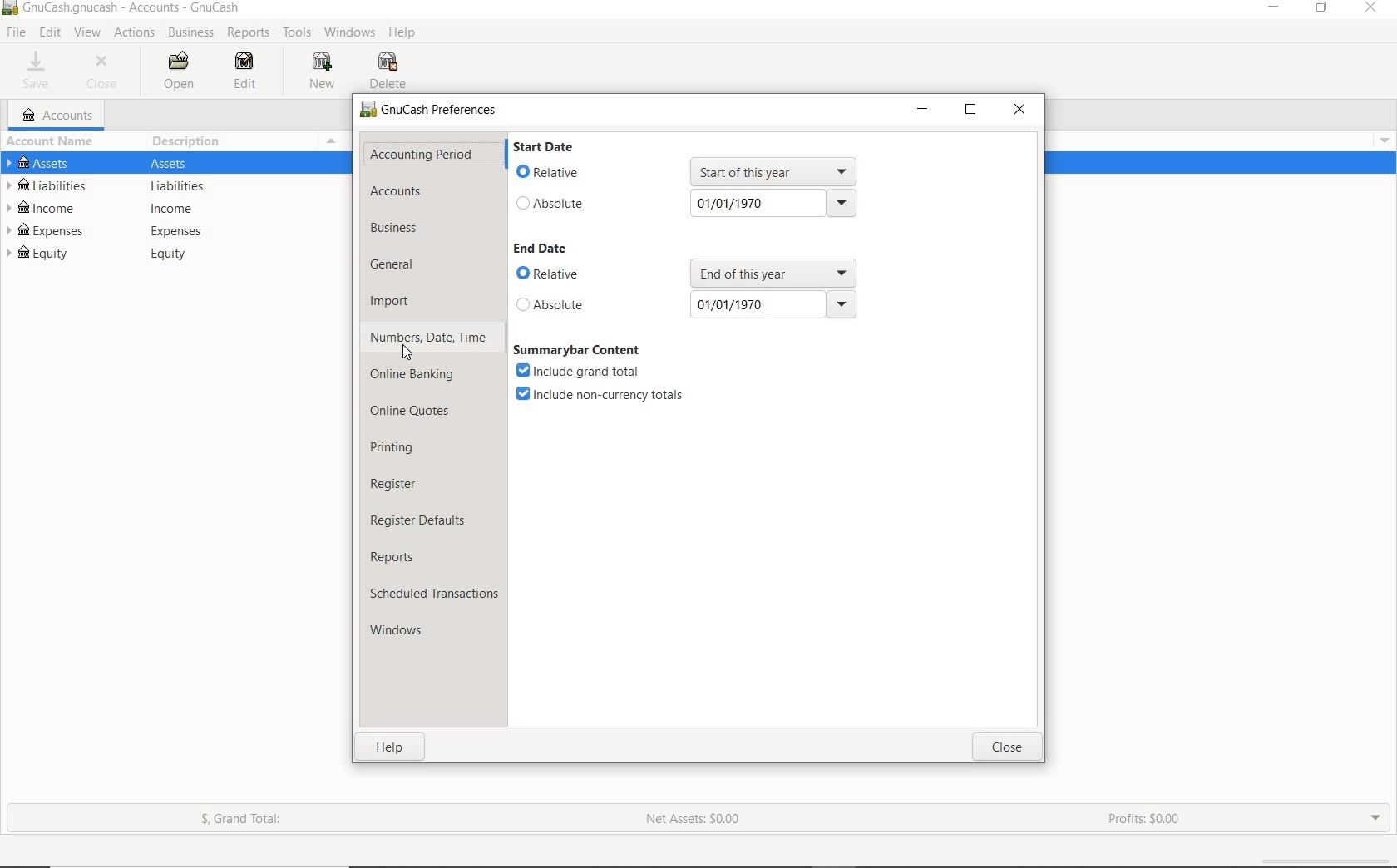 The height and width of the screenshot is (868, 1397). What do you see at coordinates (136, 33) in the screenshot?
I see `ACTIONS` at bounding box center [136, 33].